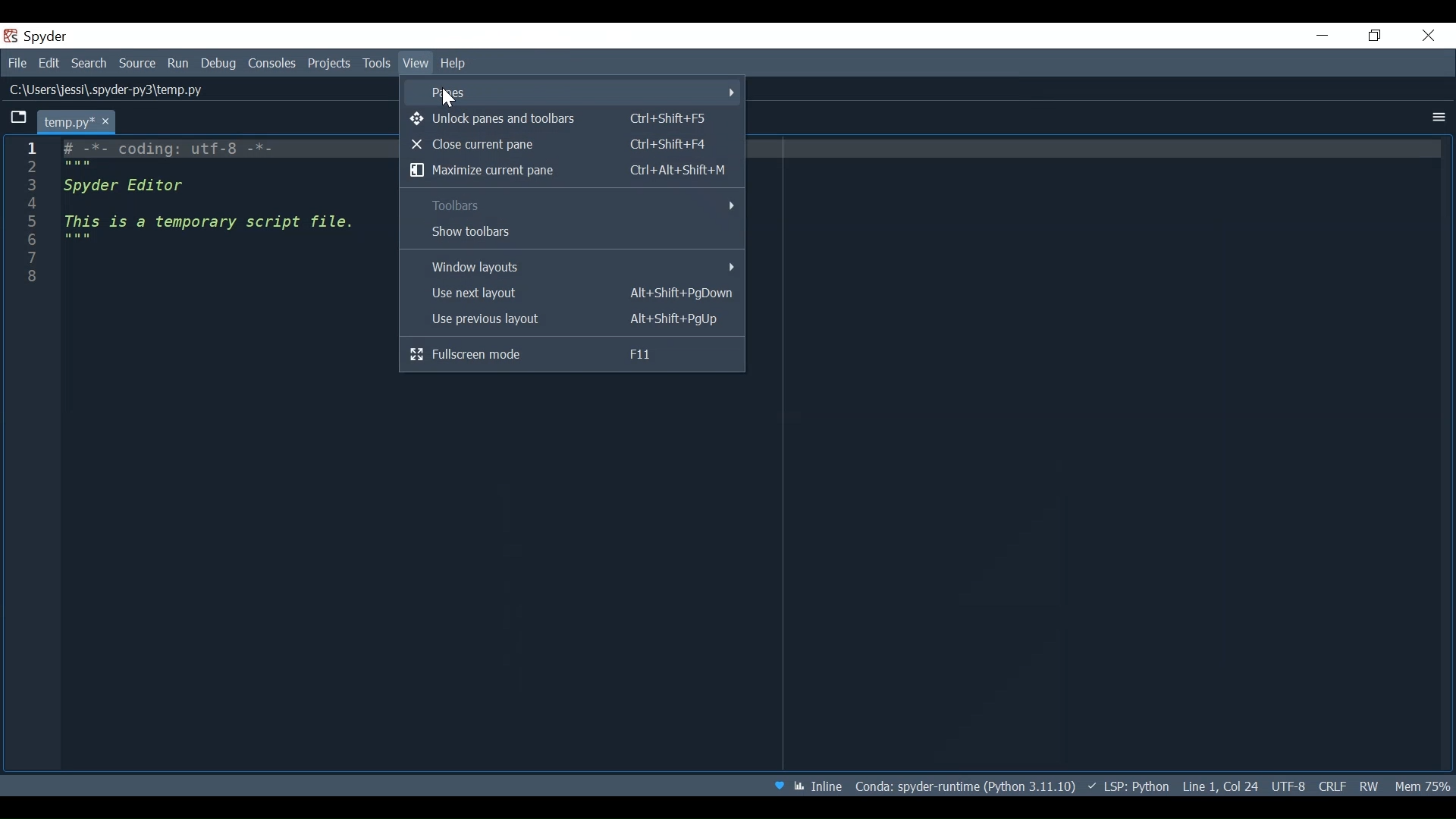 The width and height of the screenshot is (1456, 819). Describe the element at coordinates (114, 92) in the screenshot. I see `C:\Users\jessi\.spyder-pys\temp.py` at that location.